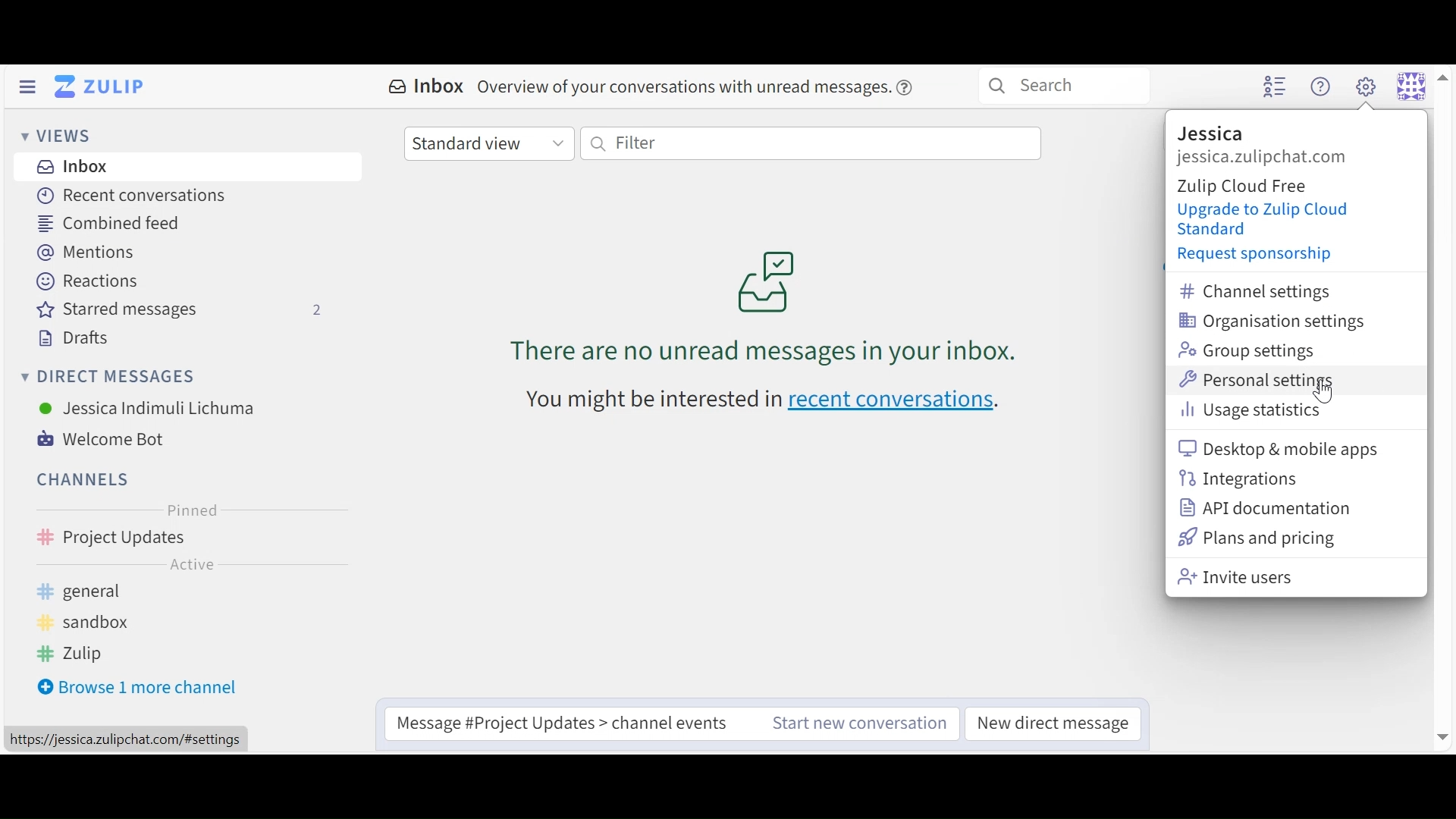  I want to click on Zulip, so click(74, 656).